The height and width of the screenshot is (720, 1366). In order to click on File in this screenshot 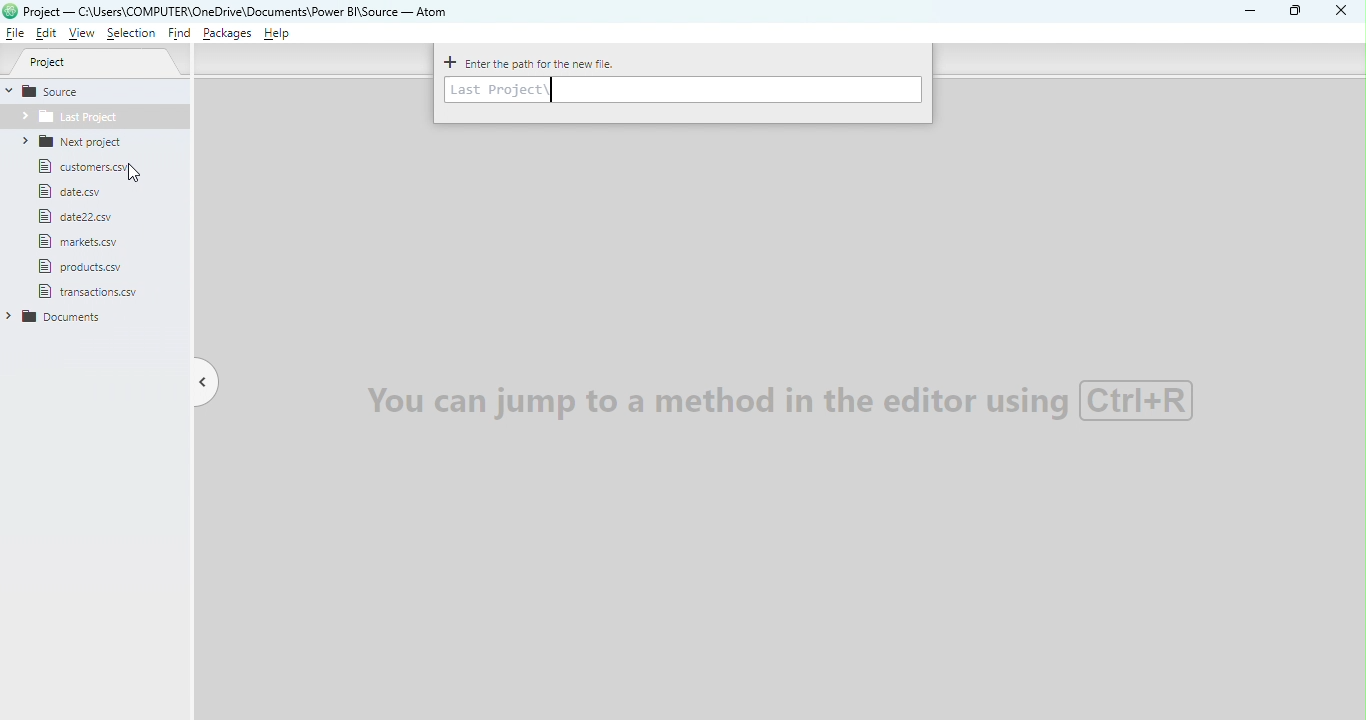, I will do `click(74, 193)`.